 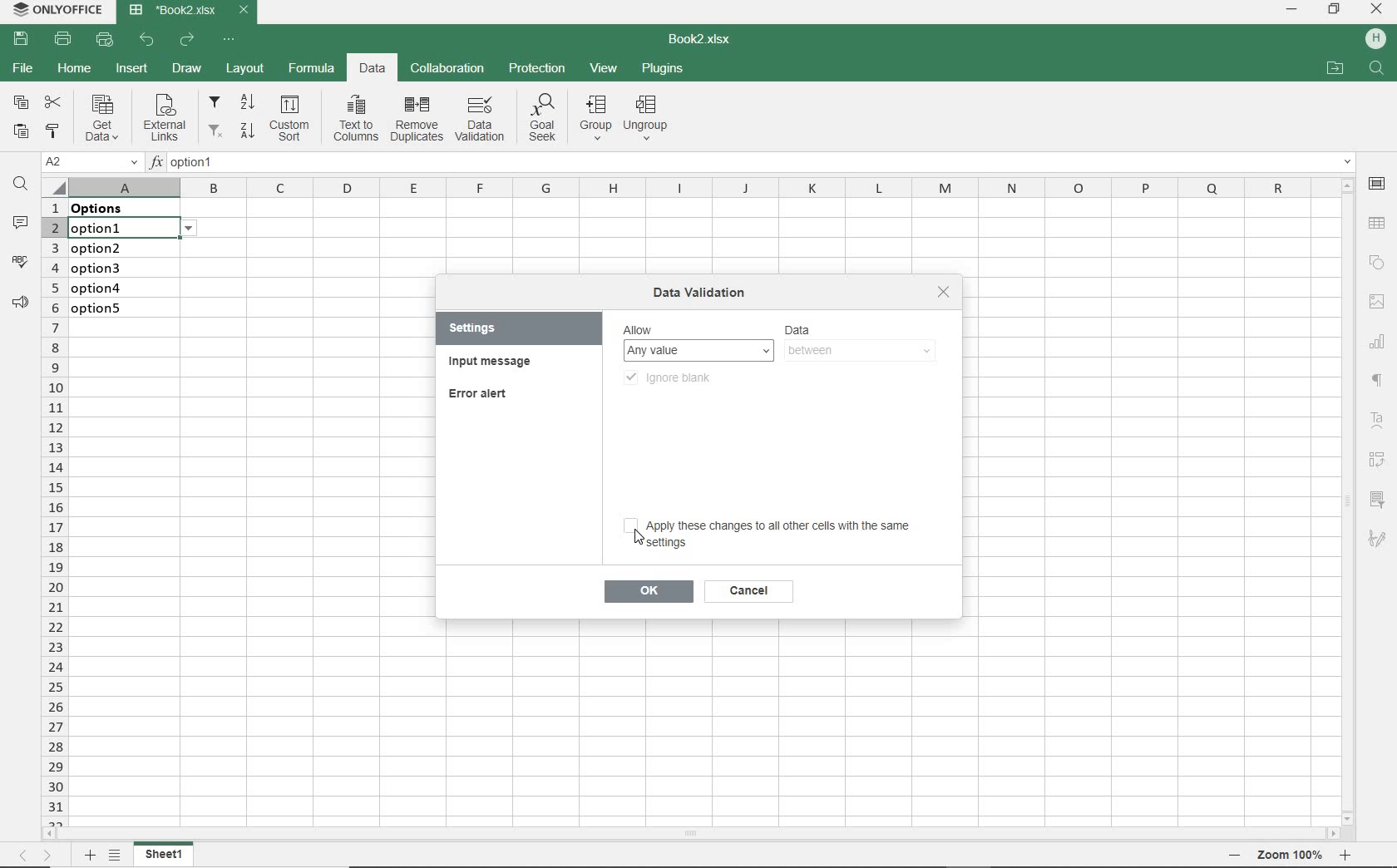 What do you see at coordinates (60, 10) in the screenshot?
I see `SYSTEM NAME` at bounding box center [60, 10].